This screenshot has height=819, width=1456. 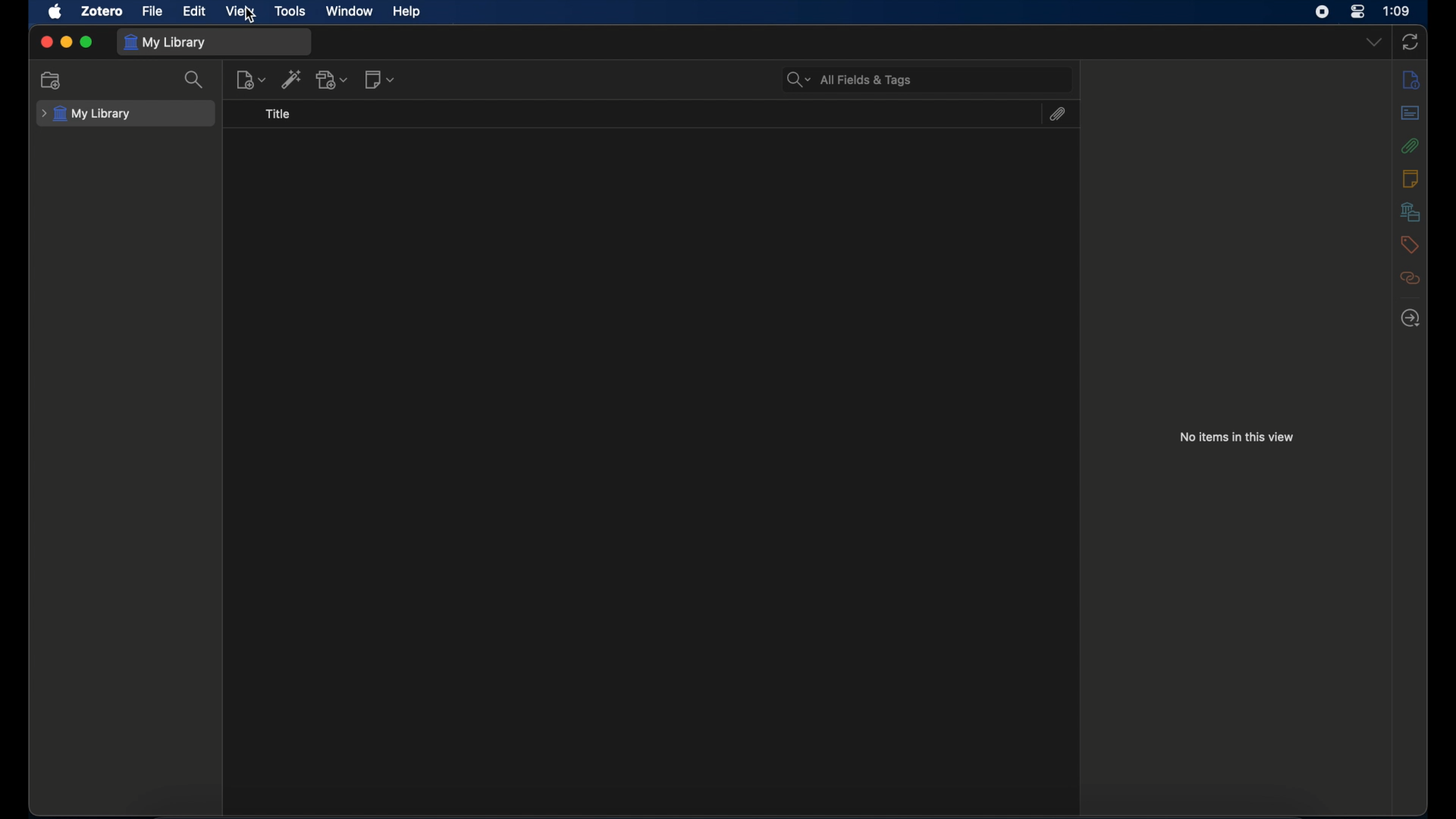 I want to click on window, so click(x=349, y=11).